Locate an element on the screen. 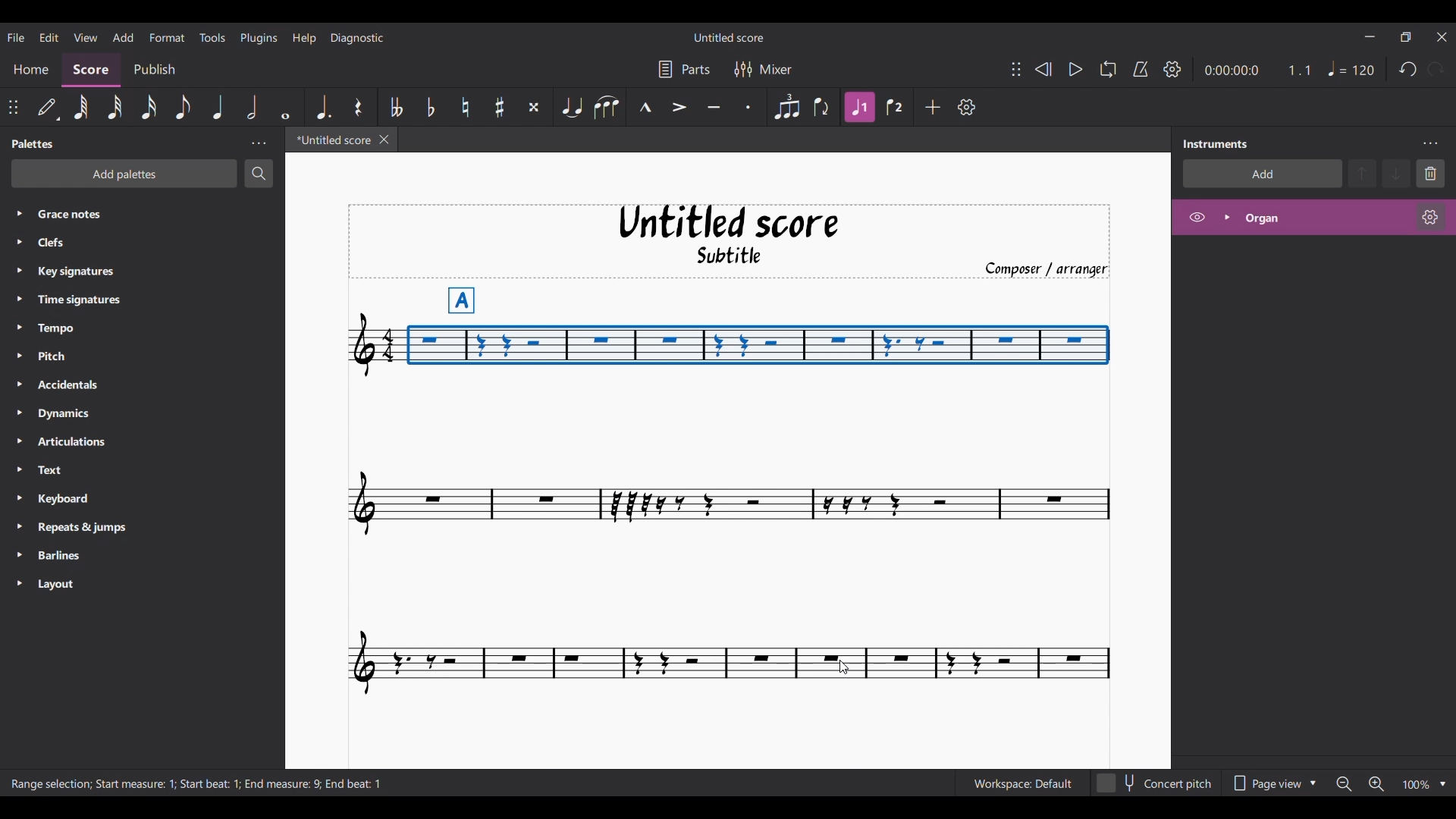 The width and height of the screenshot is (1456, 819). Description of current selection is located at coordinates (199, 783).